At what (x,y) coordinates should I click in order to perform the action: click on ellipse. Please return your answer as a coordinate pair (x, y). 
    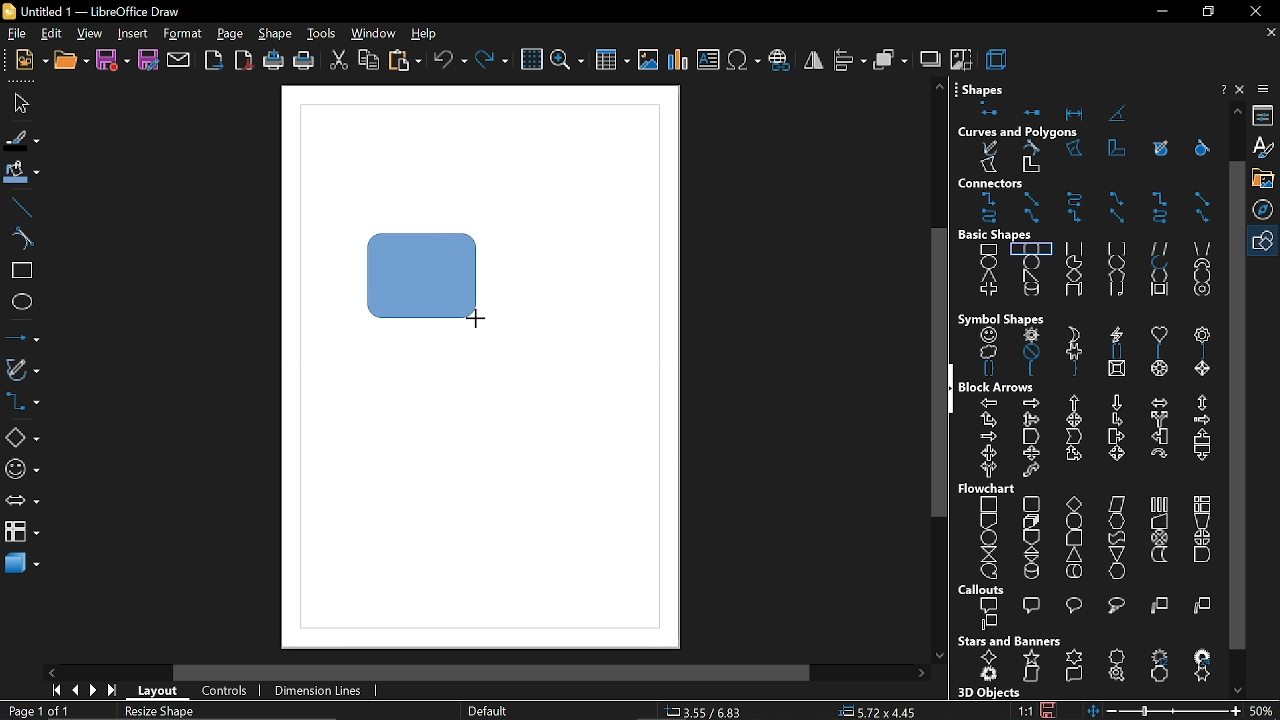
    Looking at the image, I should click on (22, 302).